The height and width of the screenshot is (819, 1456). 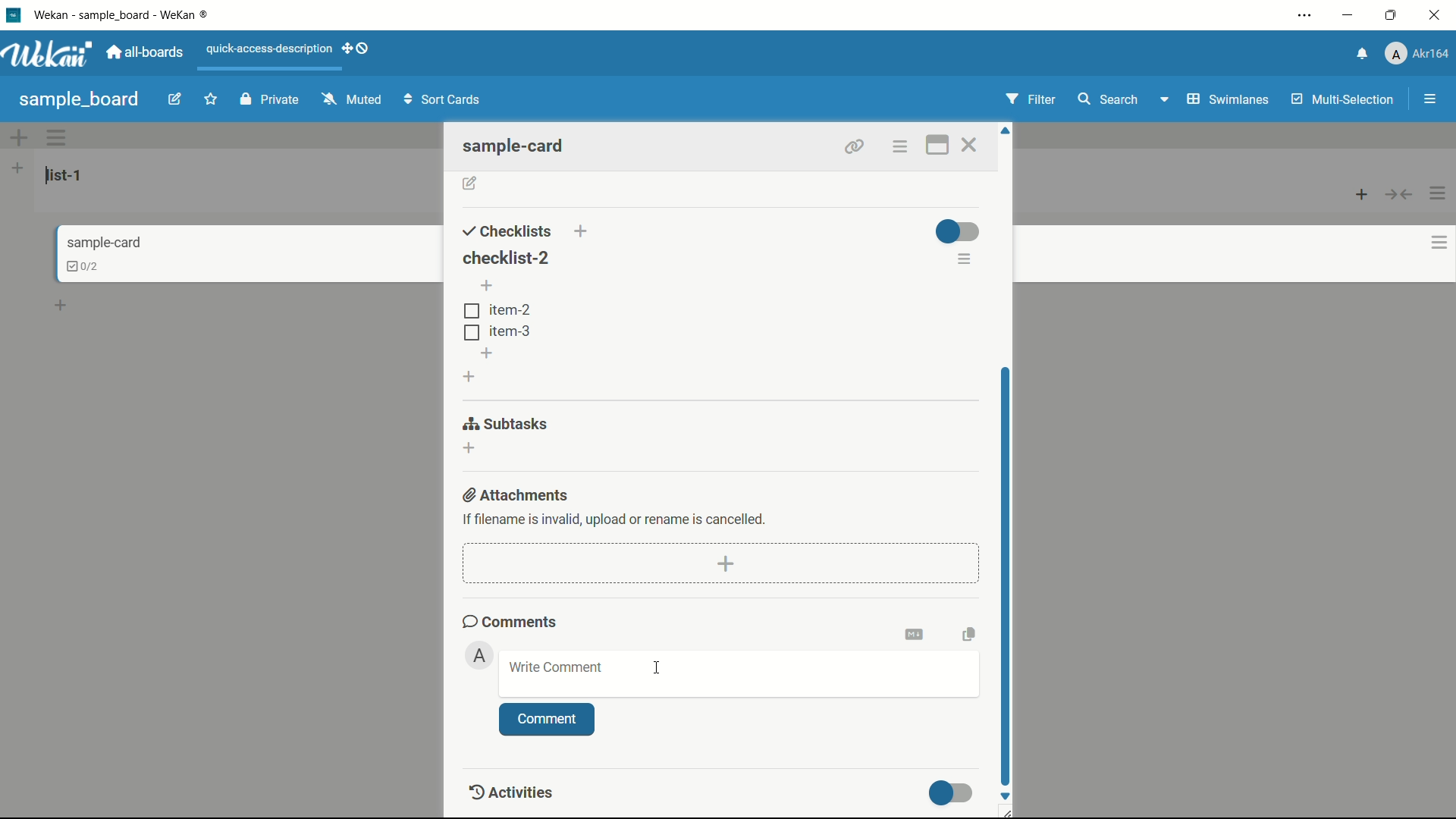 I want to click on toggle button, so click(x=957, y=231).